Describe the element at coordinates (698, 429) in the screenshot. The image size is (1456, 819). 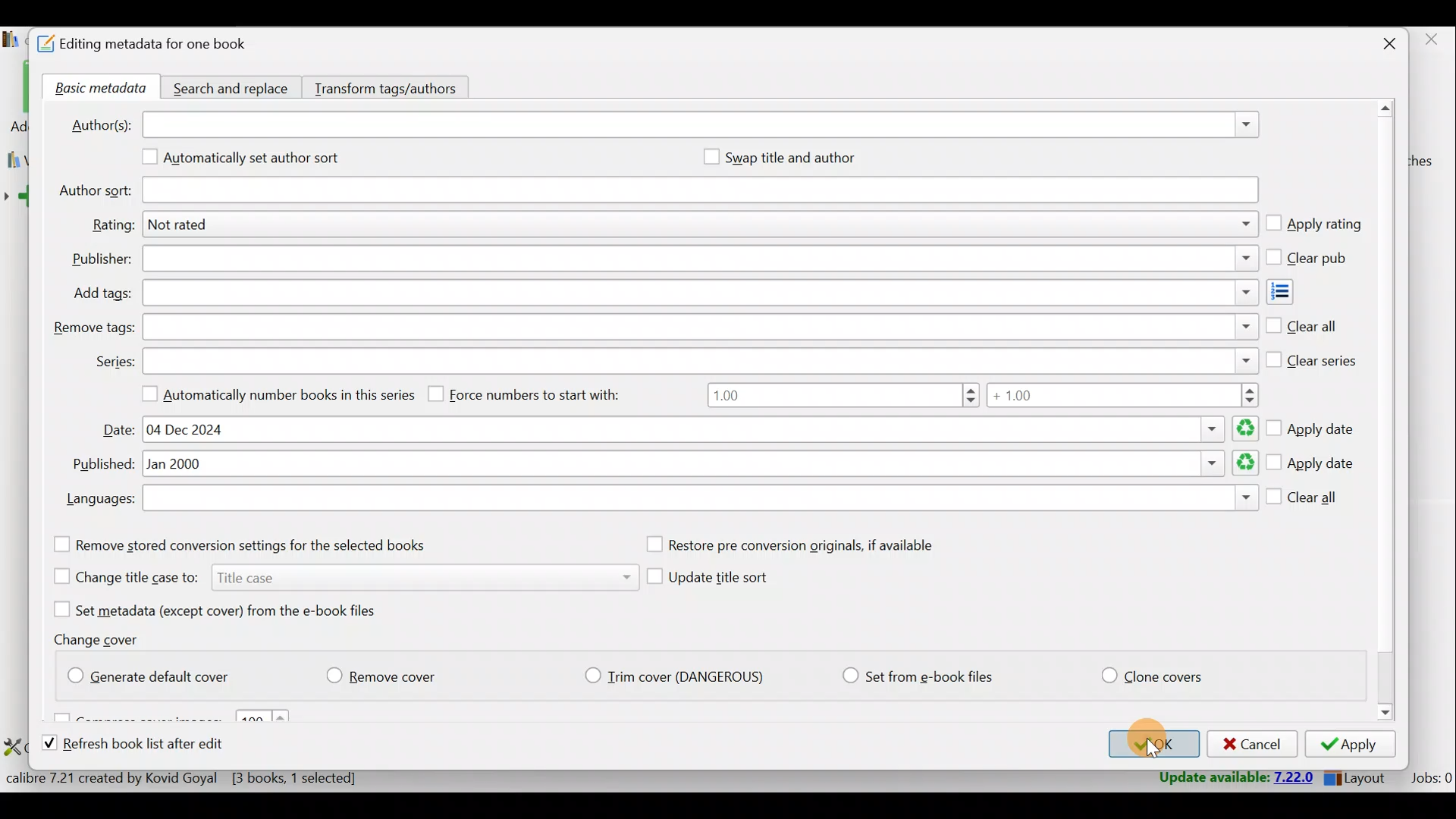
I see `Date` at that location.